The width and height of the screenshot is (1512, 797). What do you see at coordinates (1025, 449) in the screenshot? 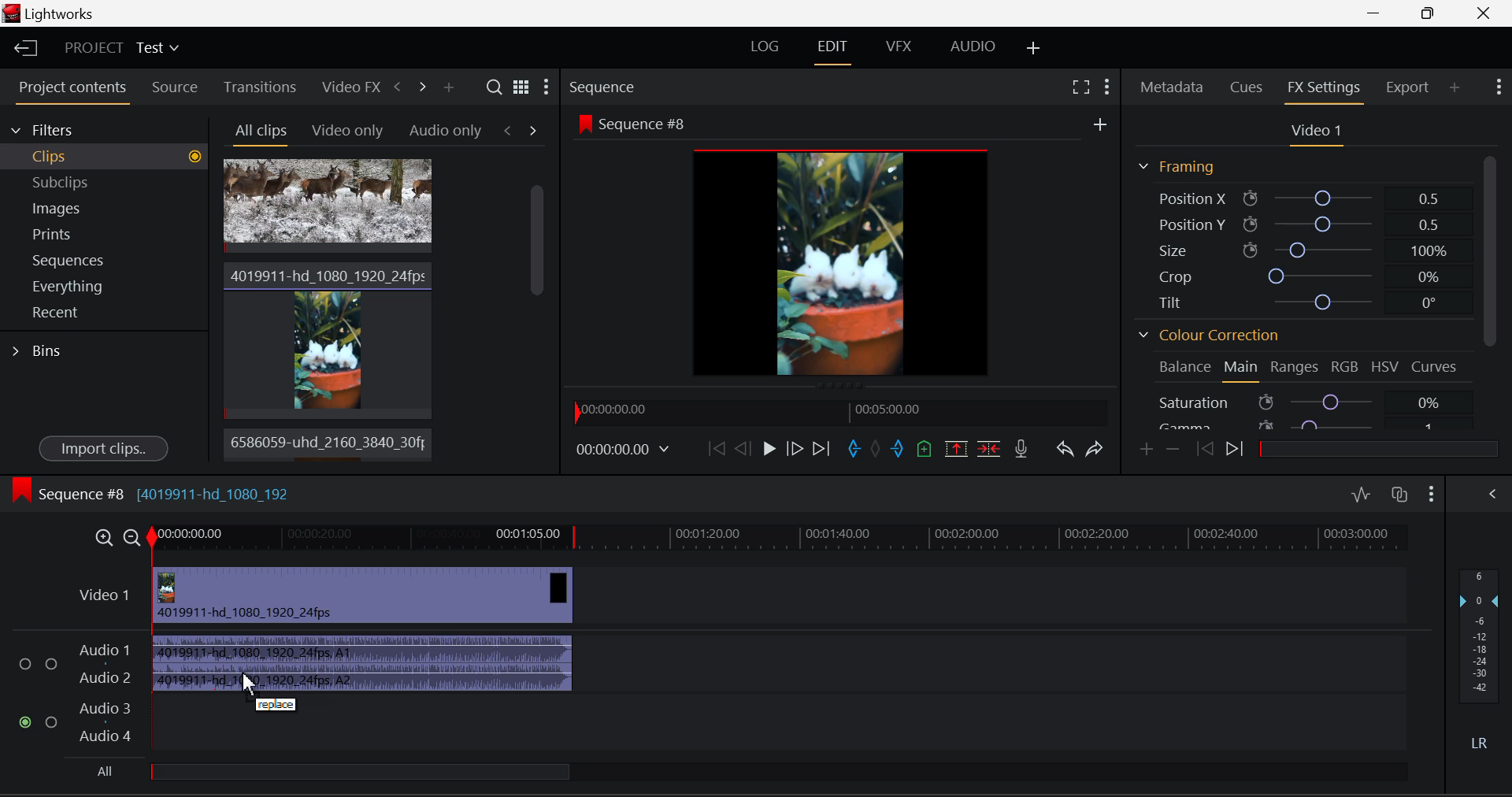
I see `Record Voiceover` at bounding box center [1025, 449].